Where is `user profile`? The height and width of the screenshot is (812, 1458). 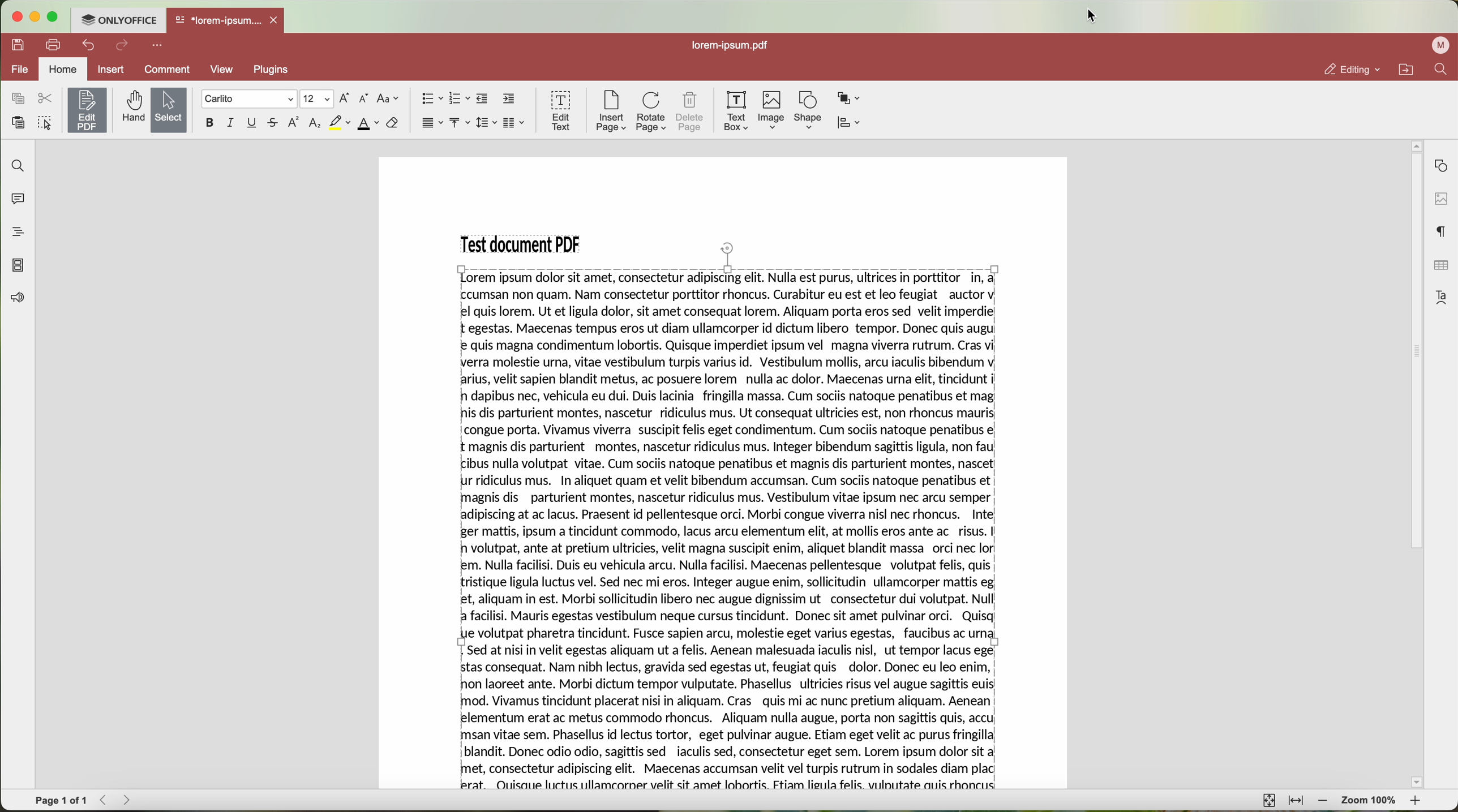
user profile is located at coordinates (1440, 47).